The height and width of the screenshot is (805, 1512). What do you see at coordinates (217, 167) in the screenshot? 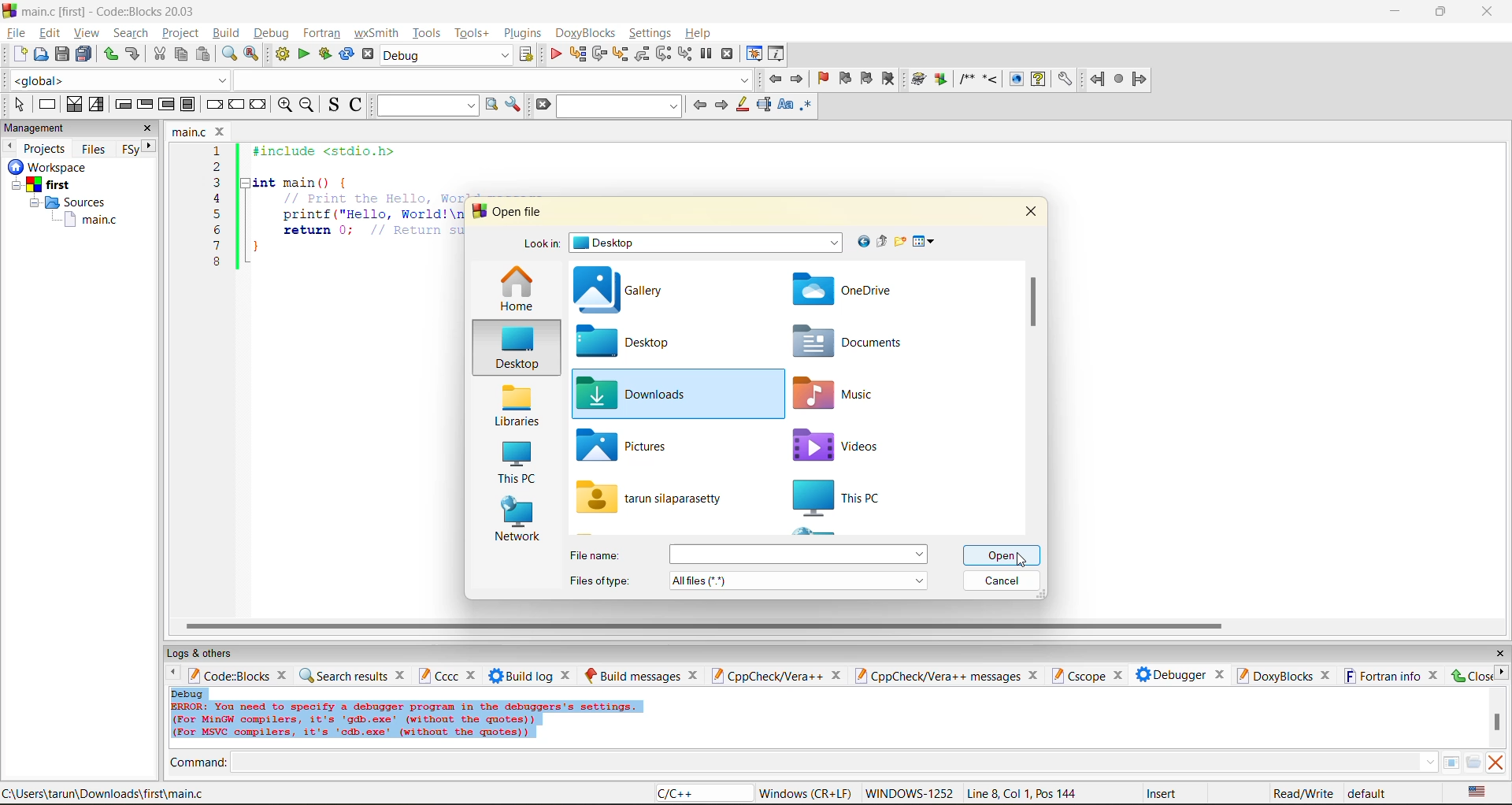
I see `2` at bounding box center [217, 167].